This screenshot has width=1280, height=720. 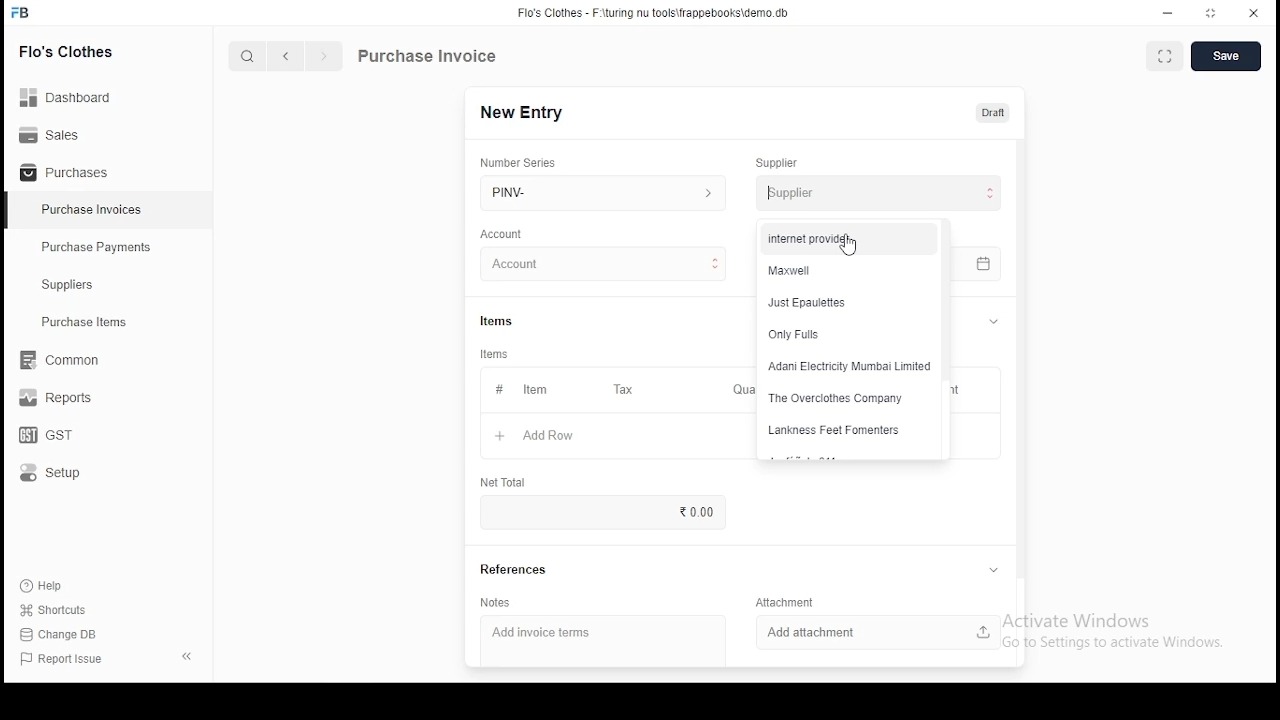 What do you see at coordinates (250, 58) in the screenshot?
I see `search` at bounding box center [250, 58].